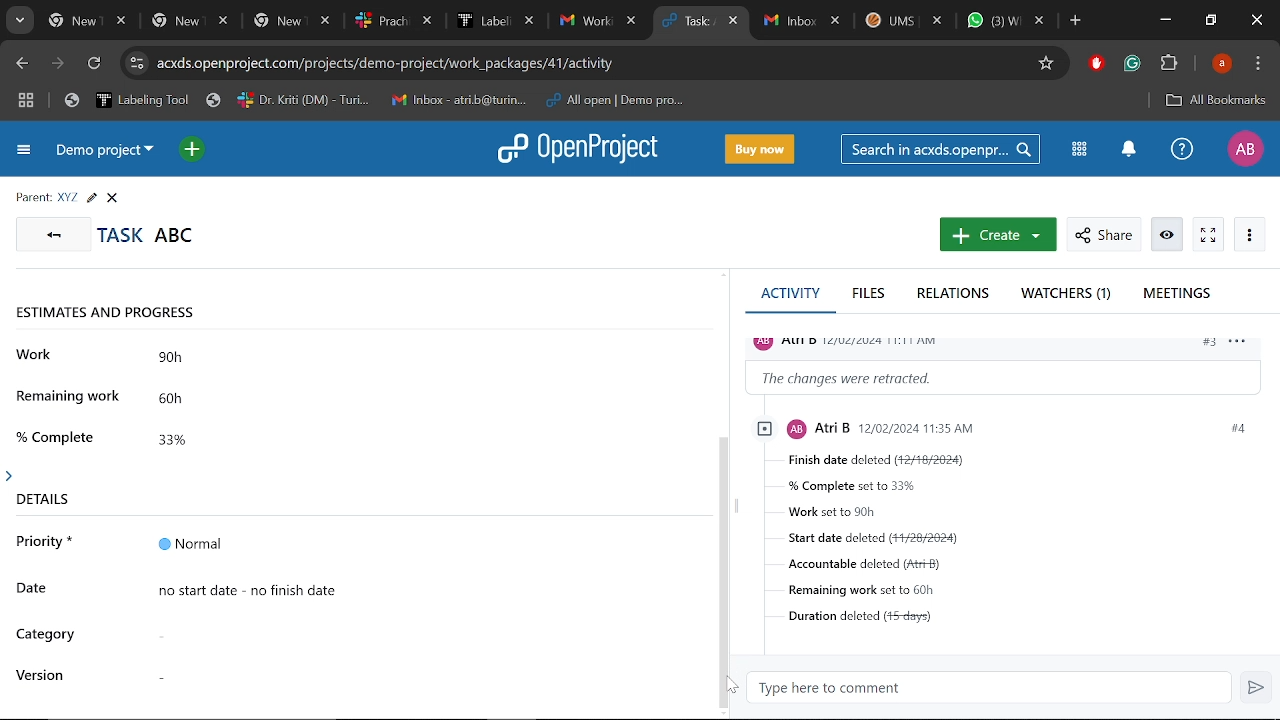 Image resolution: width=1280 pixels, height=720 pixels. Describe the element at coordinates (194, 152) in the screenshot. I see `Open quick add menu` at that location.